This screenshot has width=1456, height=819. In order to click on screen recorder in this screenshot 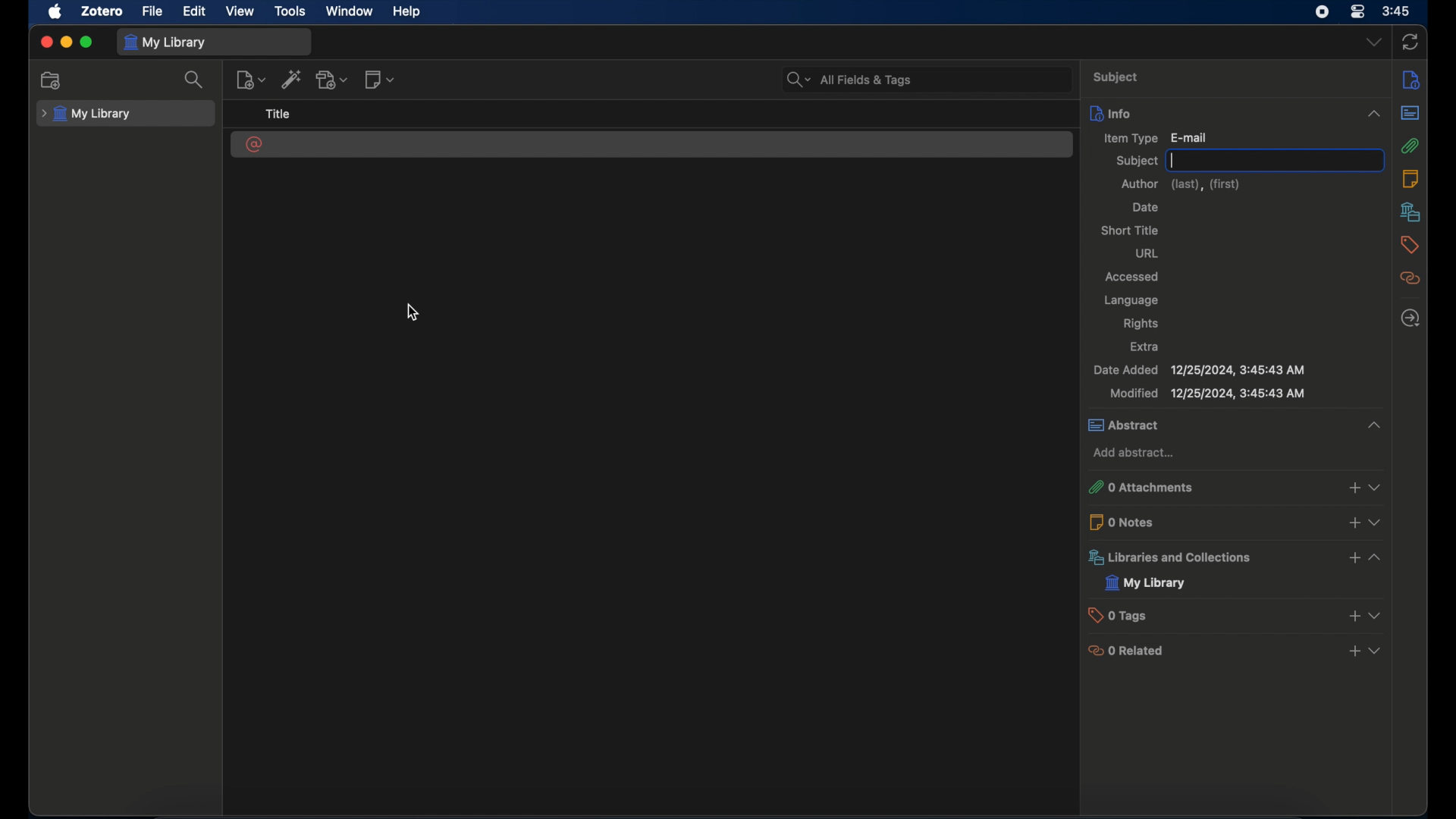, I will do `click(1321, 12)`.